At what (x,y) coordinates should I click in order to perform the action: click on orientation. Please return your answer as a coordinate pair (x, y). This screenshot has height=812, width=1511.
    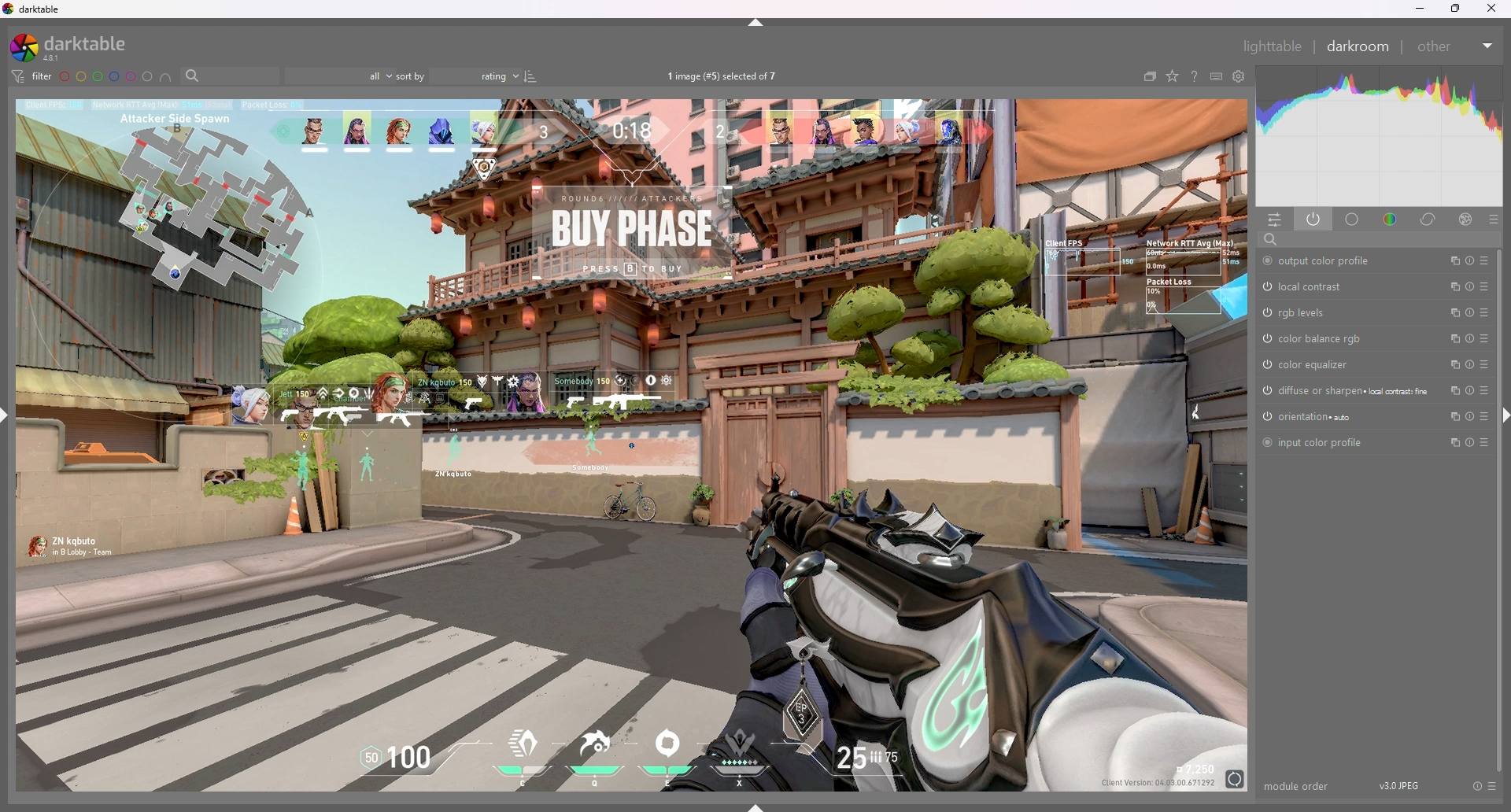
    Looking at the image, I should click on (1310, 416).